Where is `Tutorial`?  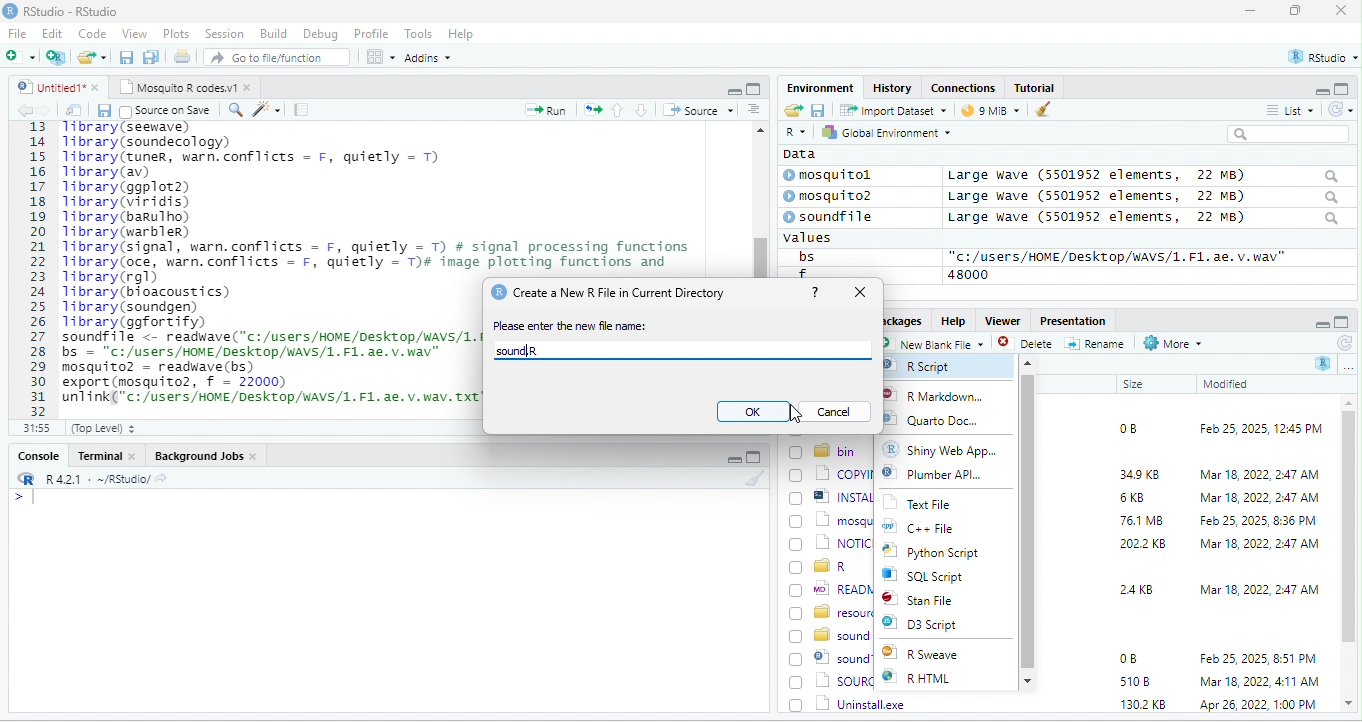 Tutorial is located at coordinates (1037, 87).